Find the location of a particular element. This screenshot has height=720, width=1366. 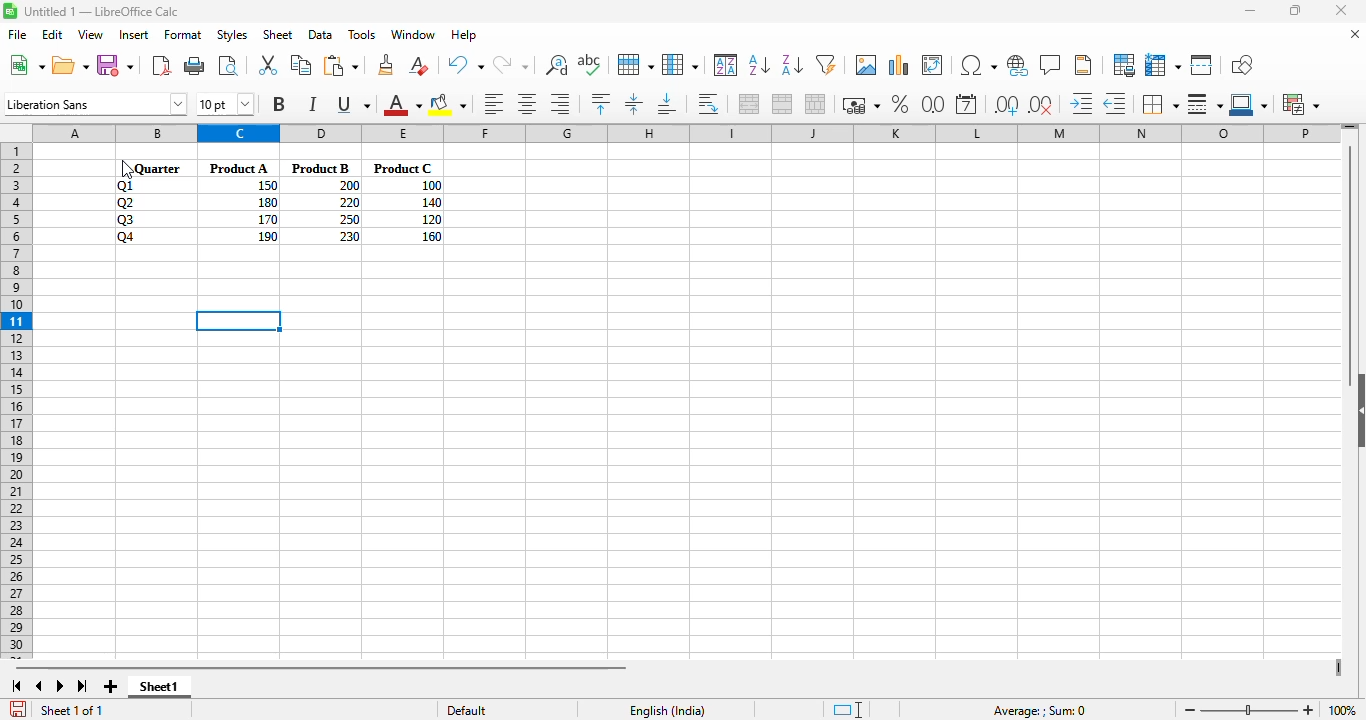

scroll to previous sheet is located at coordinates (39, 686).